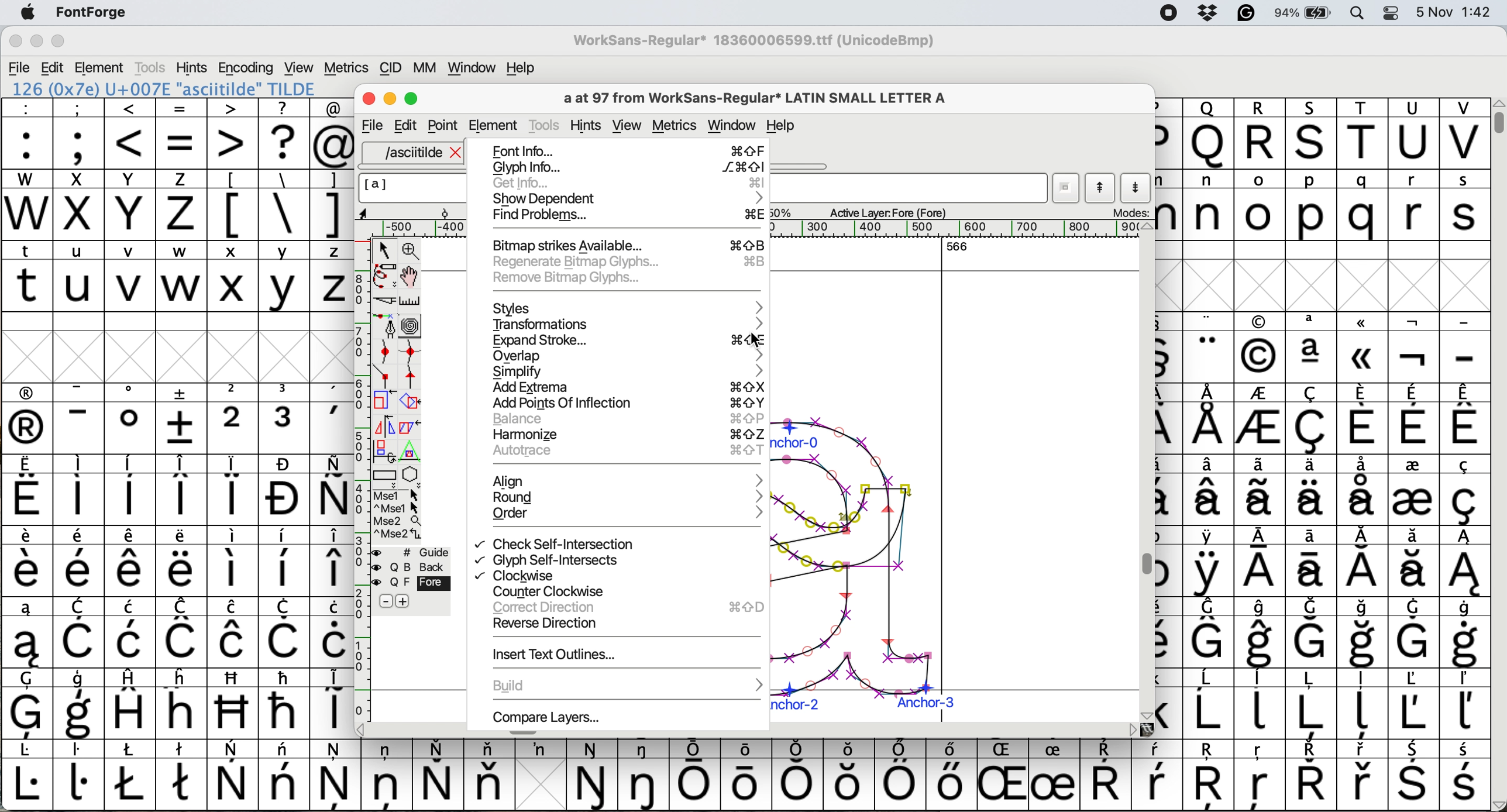 Image resolution: width=1507 pixels, height=812 pixels. I want to click on perform a perspective transformation on selection, so click(410, 452).